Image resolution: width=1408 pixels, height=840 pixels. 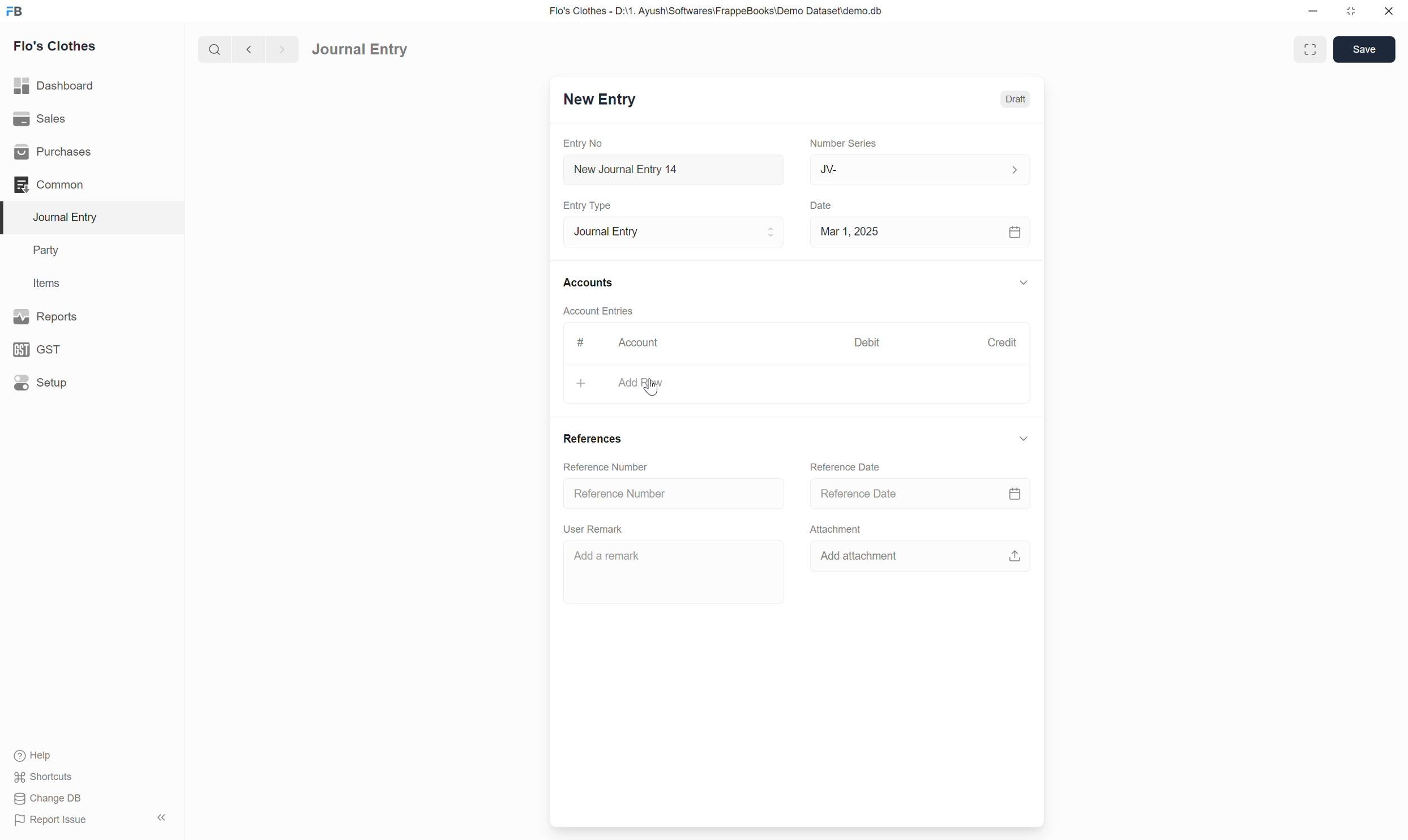 I want to click on Report Issue, so click(x=55, y=821).